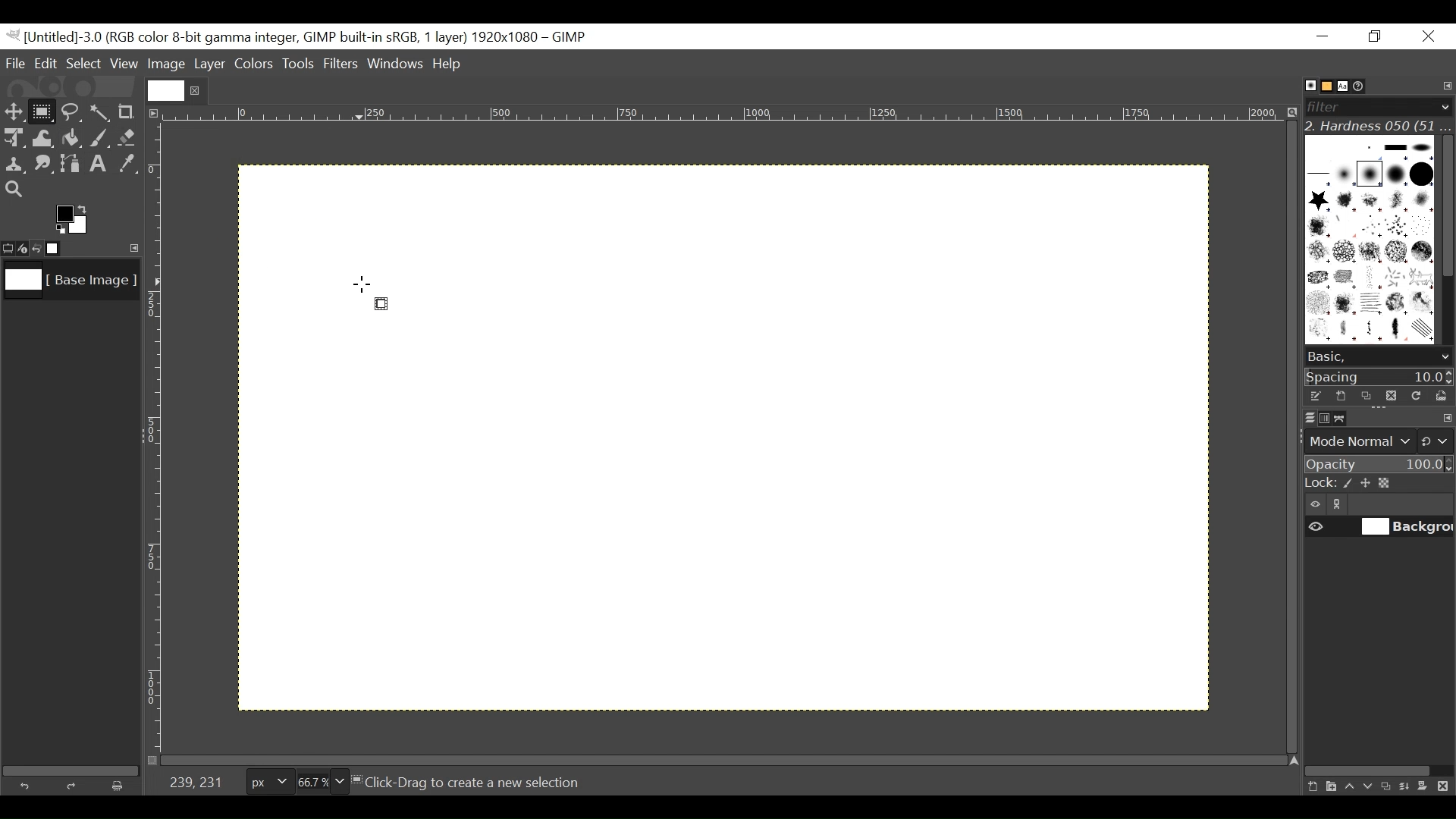  I want to click on Layer, so click(209, 63).